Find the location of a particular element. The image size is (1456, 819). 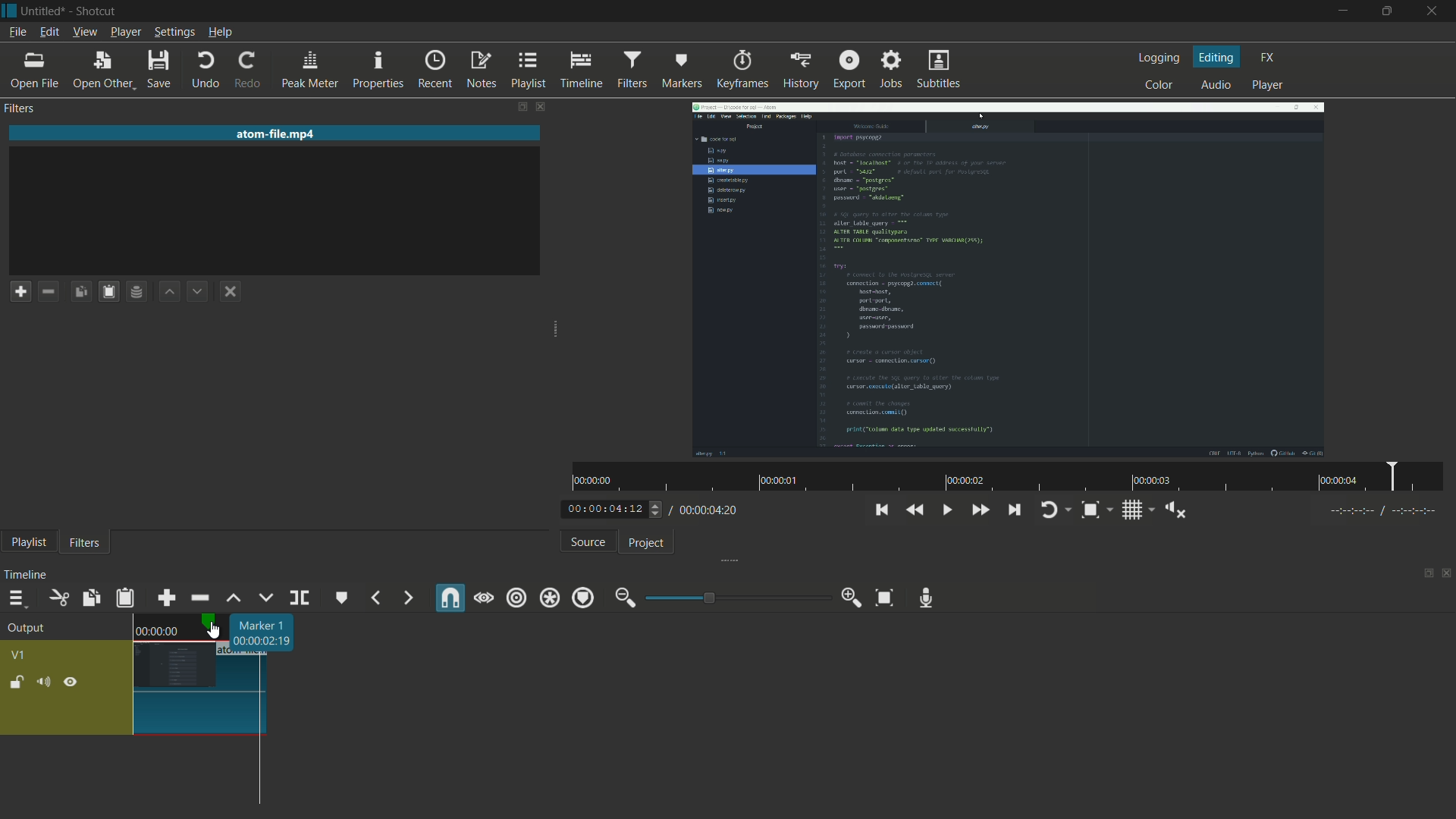

help menu is located at coordinates (220, 32).